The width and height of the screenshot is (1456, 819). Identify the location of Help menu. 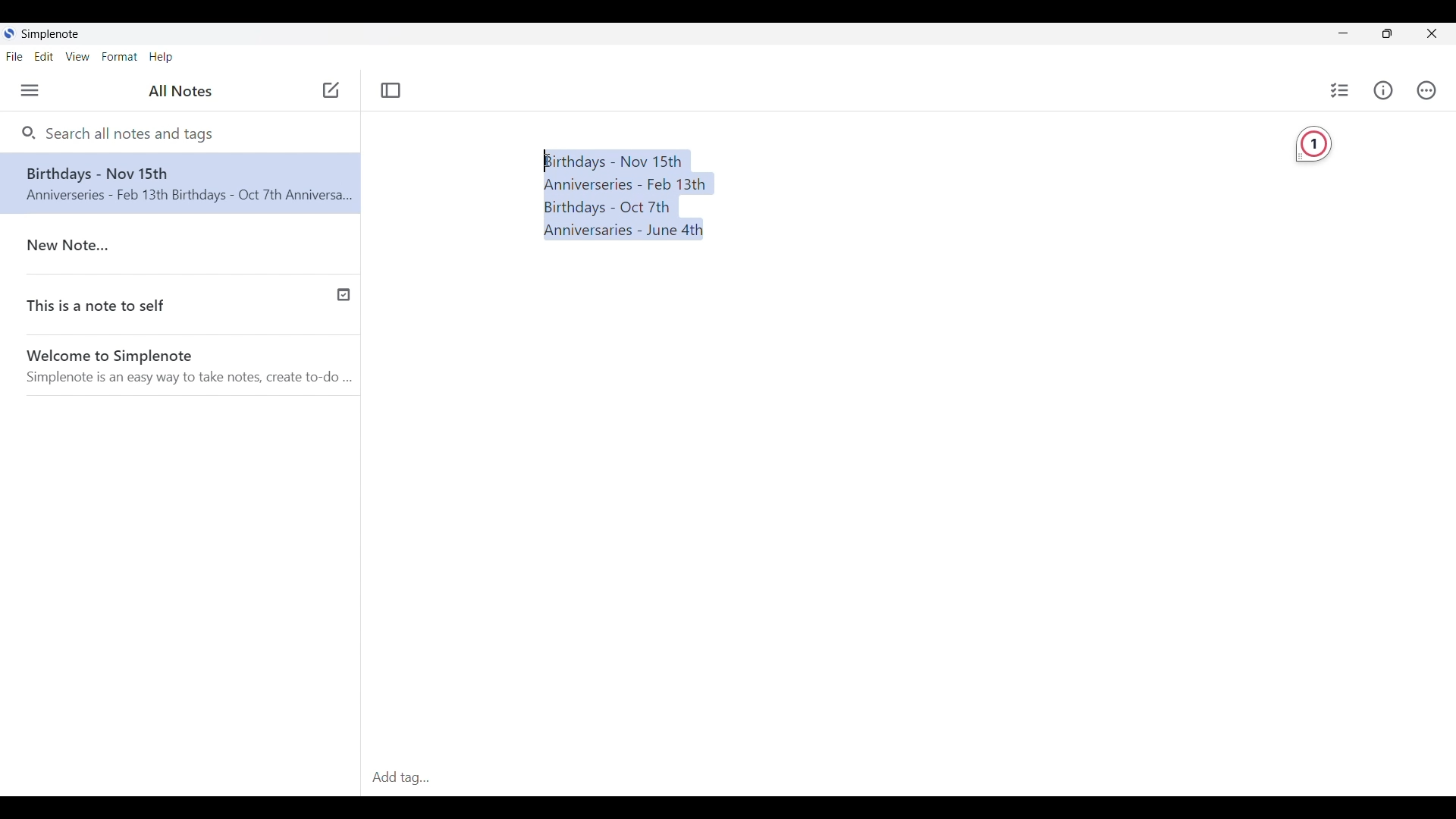
(161, 58).